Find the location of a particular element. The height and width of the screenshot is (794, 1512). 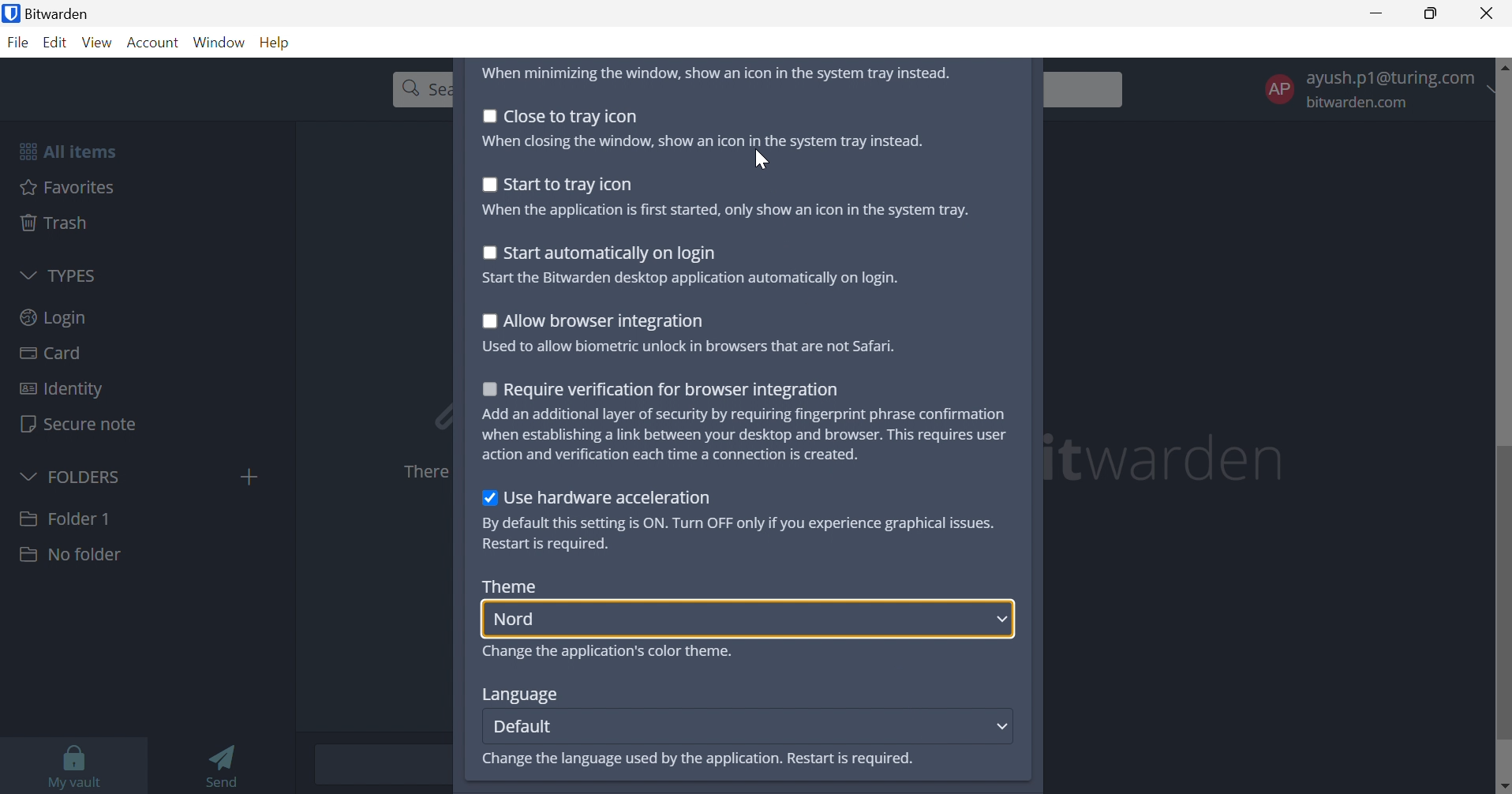

Start automatically on login is located at coordinates (612, 254).